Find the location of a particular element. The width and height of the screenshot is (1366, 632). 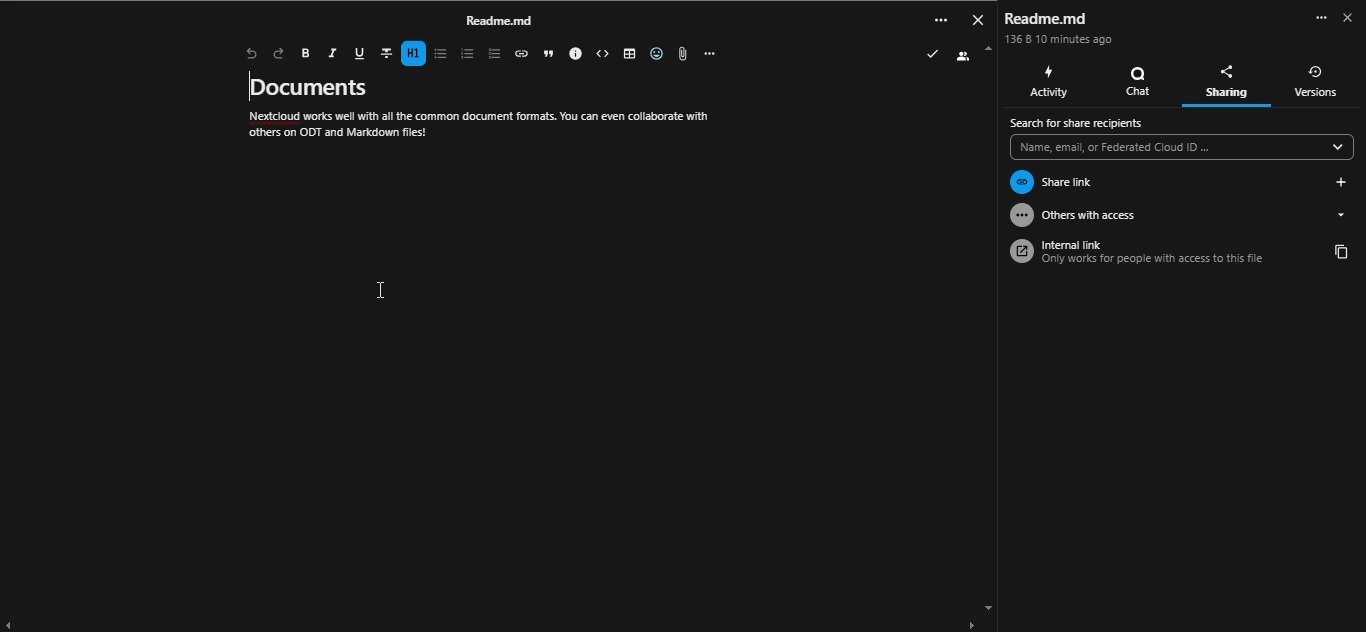

redo is located at coordinates (279, 53).